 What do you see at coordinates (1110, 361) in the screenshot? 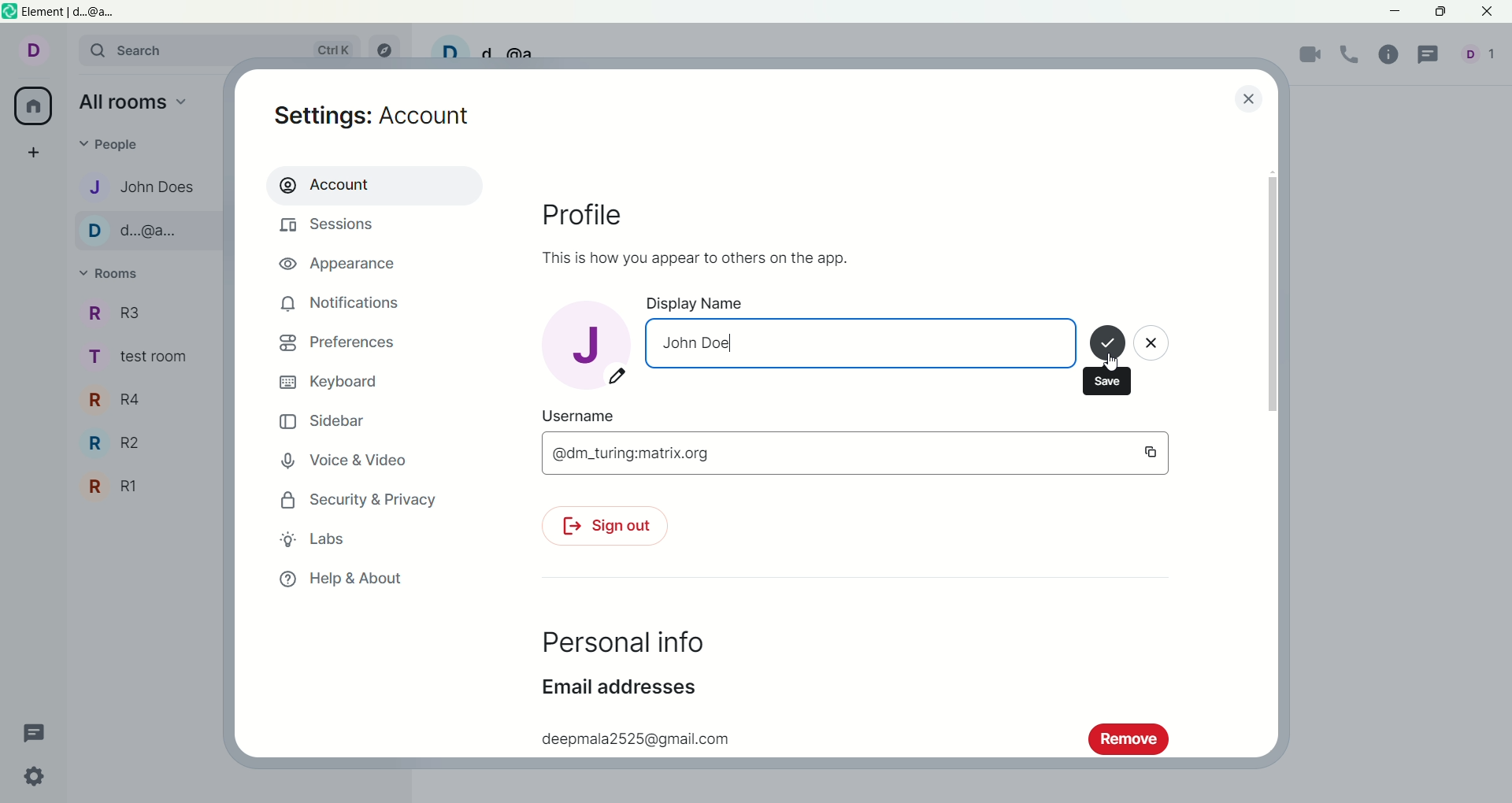
I see `cursor` at bounding box center [1110, 361].